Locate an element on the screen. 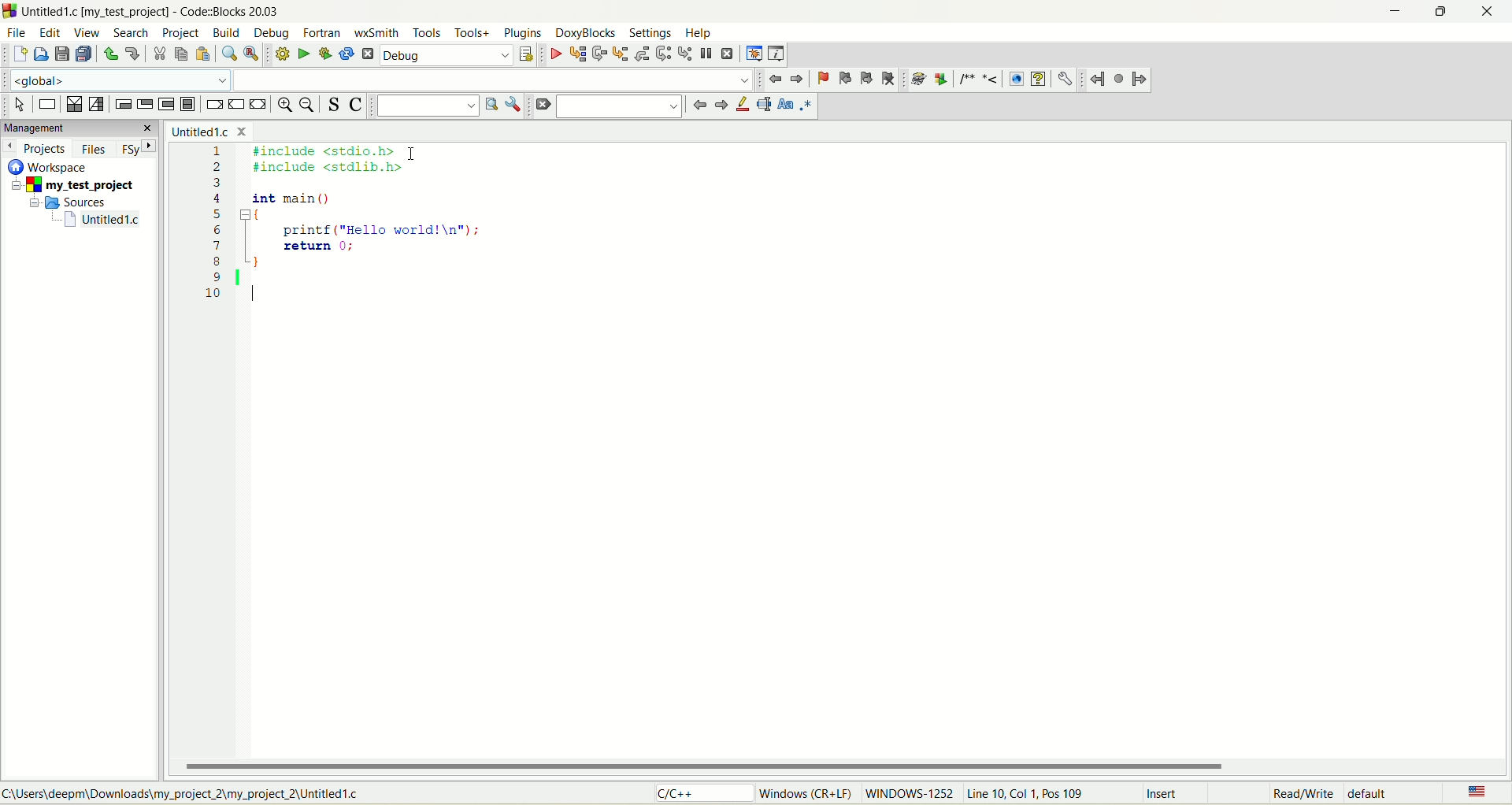  C/C++ is located at coordinates (699, 795).